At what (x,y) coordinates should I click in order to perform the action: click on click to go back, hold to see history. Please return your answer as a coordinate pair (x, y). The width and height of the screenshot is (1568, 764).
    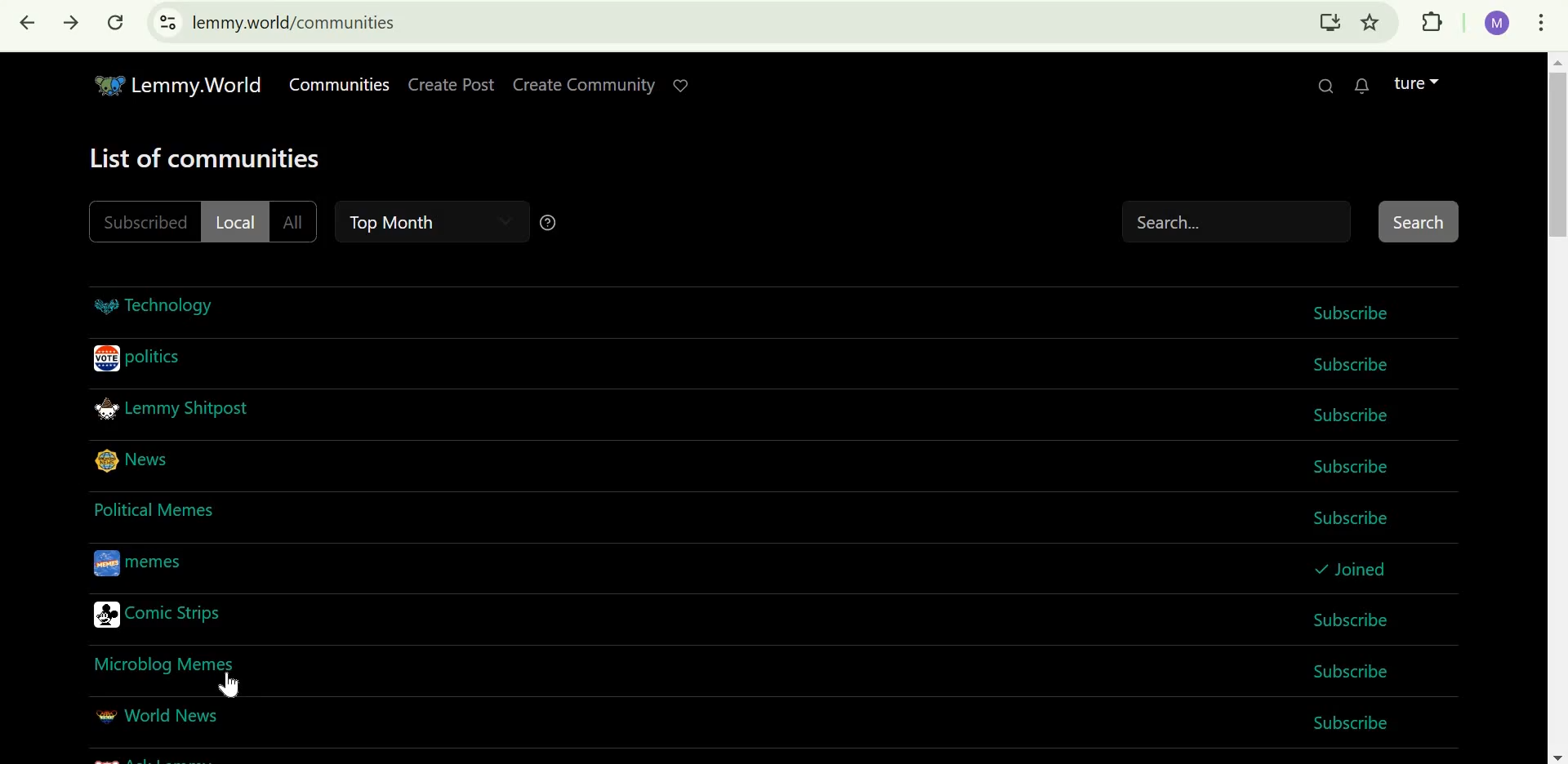
    Looking at the image, I should click on (28, 24).